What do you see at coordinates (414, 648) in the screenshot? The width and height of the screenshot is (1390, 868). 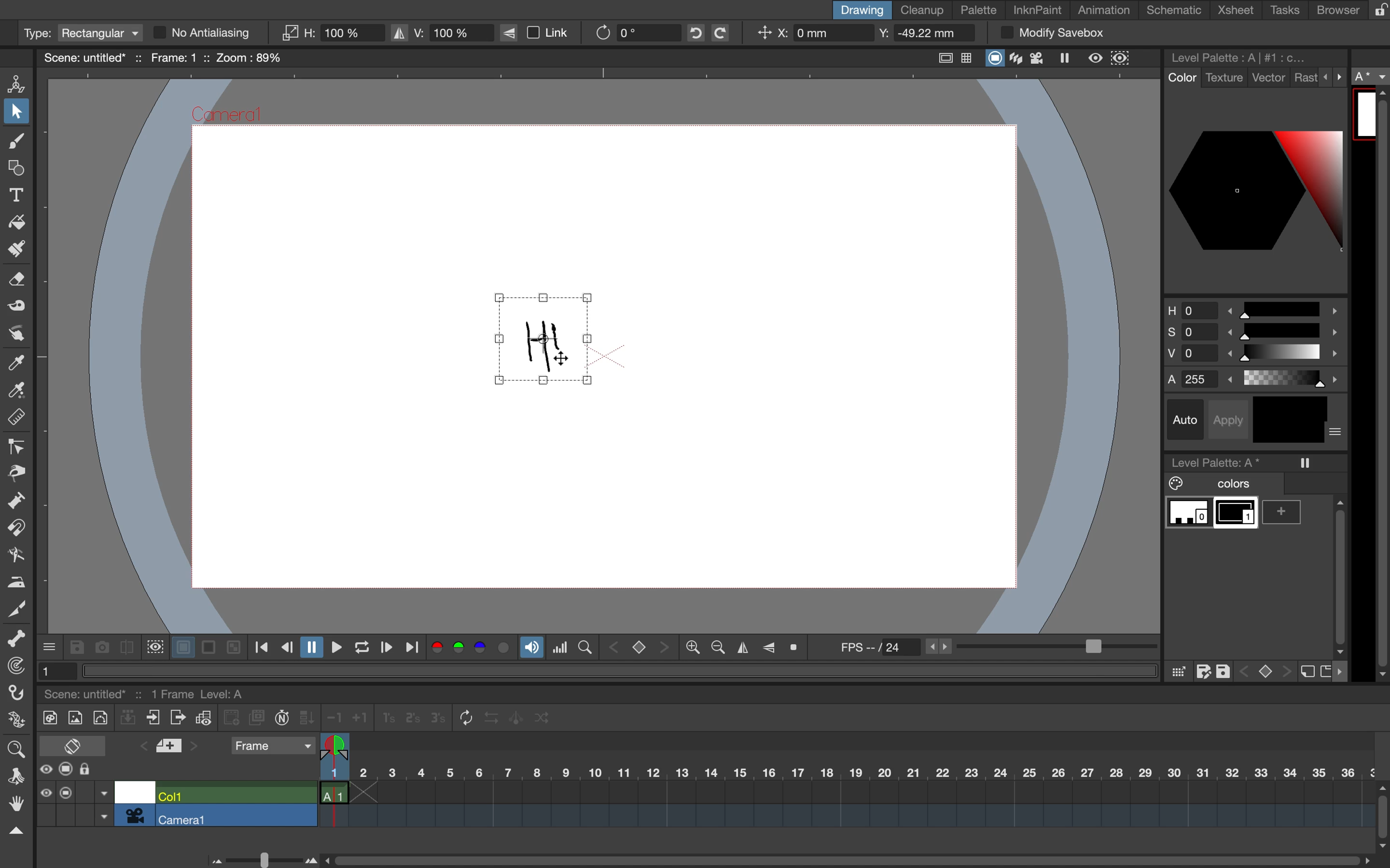 I see `last frame` at bounding box center [414, 648].